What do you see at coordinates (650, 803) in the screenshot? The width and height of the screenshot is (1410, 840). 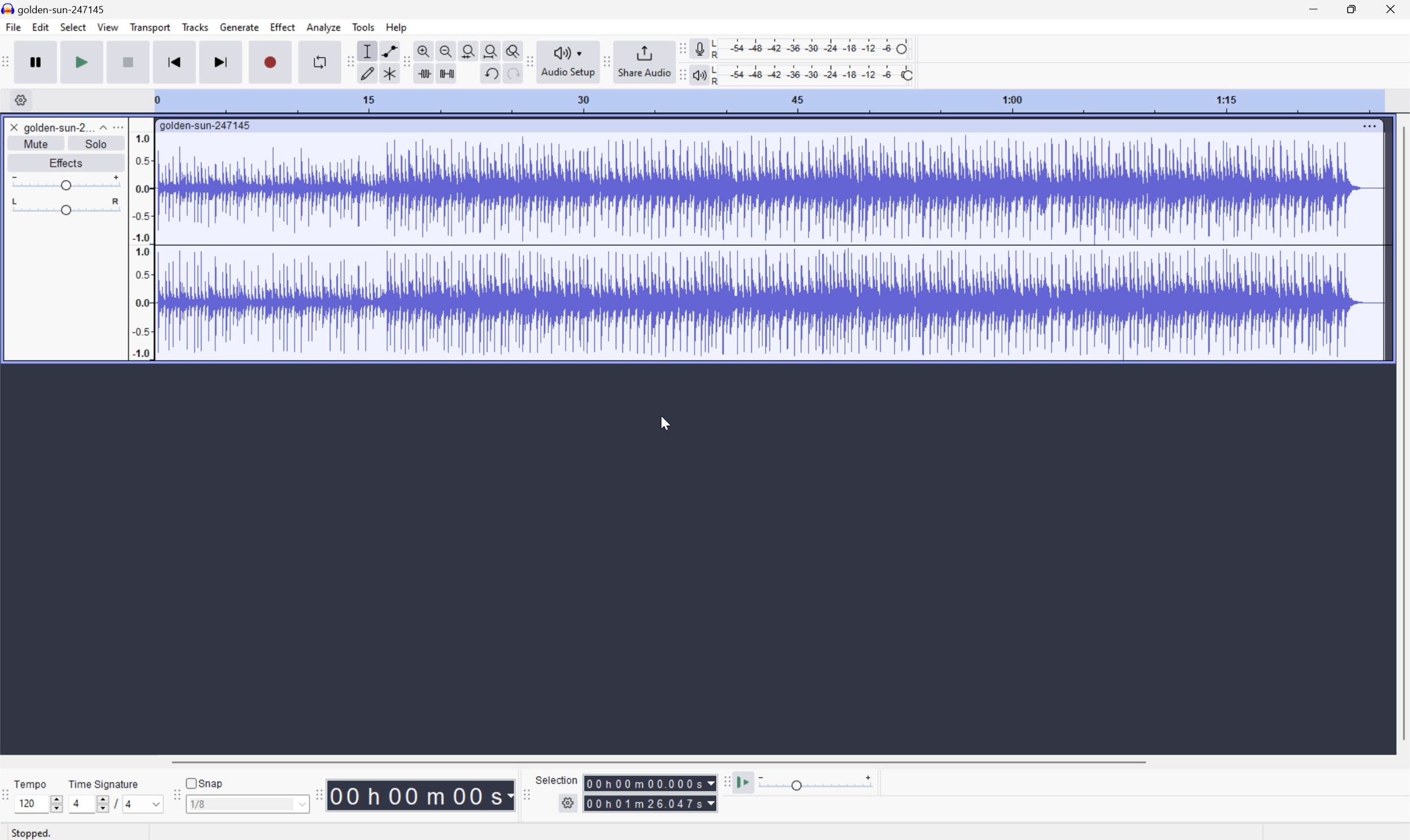 I see `Selection` at bounding box center [650, 803].